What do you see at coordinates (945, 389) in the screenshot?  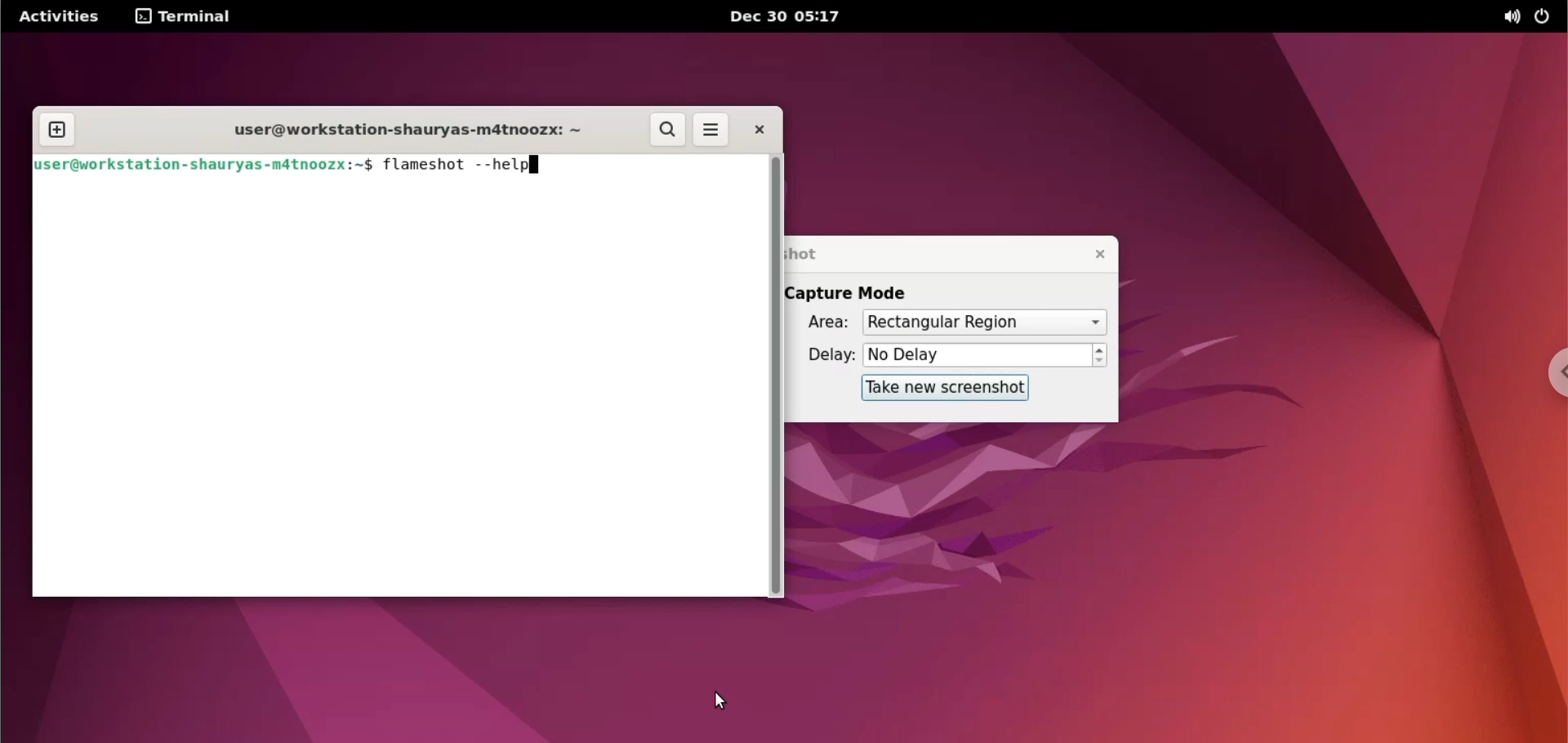 I see `take new screenshot` at bounding box center [945, 389].